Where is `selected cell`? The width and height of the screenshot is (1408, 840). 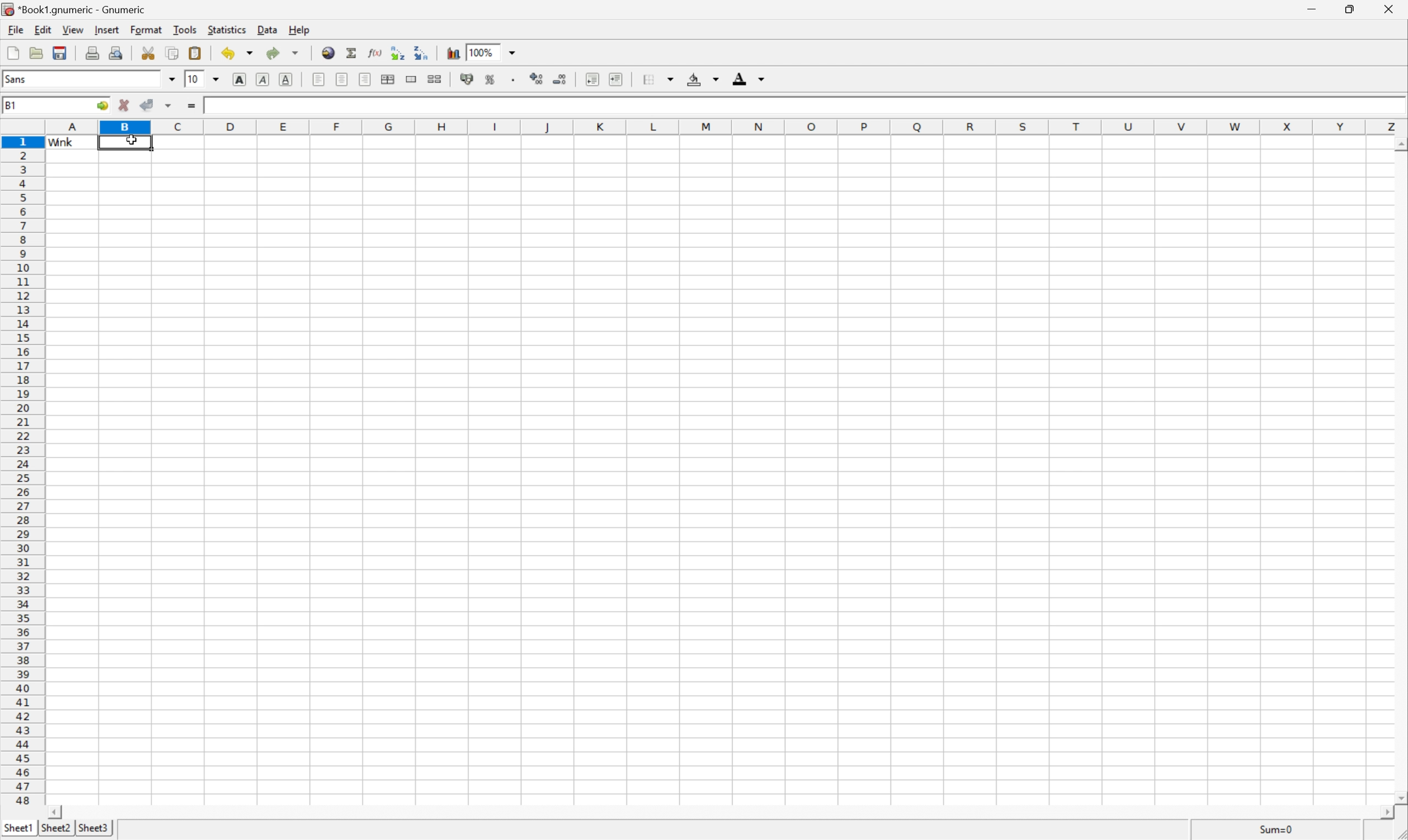
selected cell is located at coordinates (124, 144).